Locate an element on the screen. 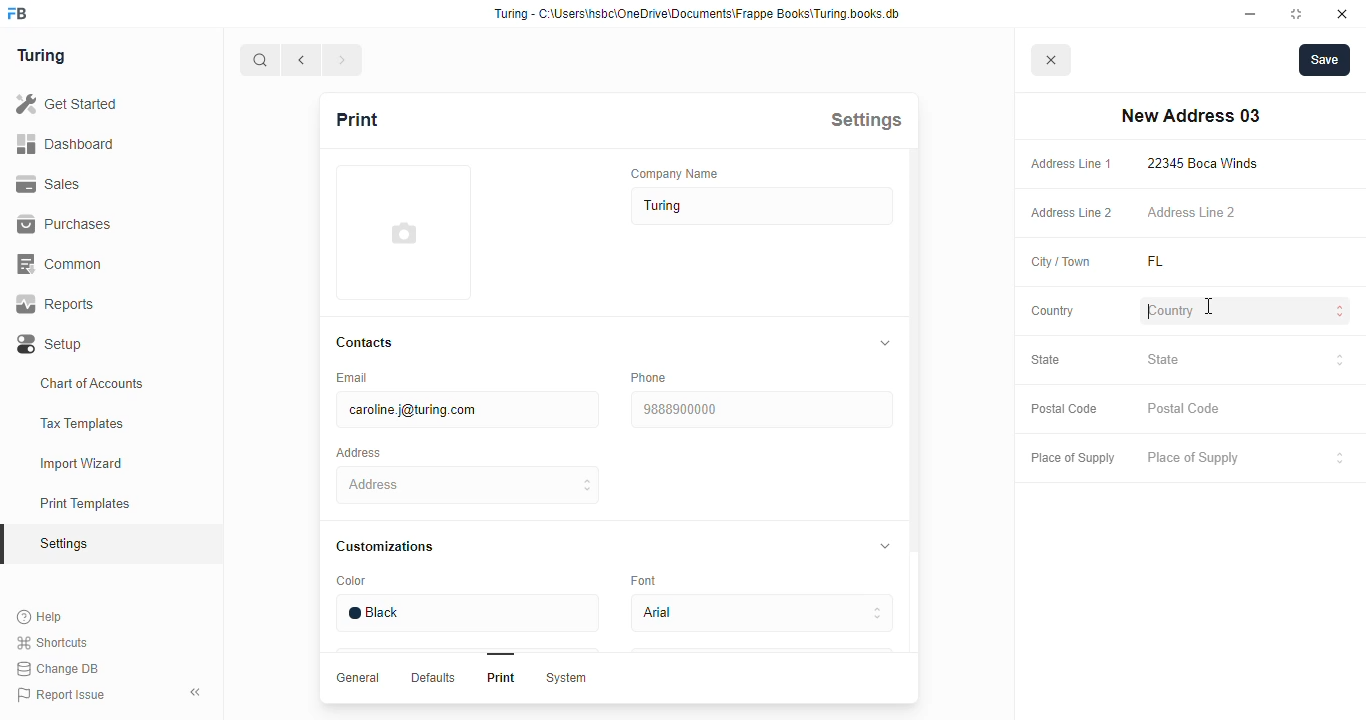 The width and height of the screenshot is (1366, 720). turing is located at coordinates (763, 206).